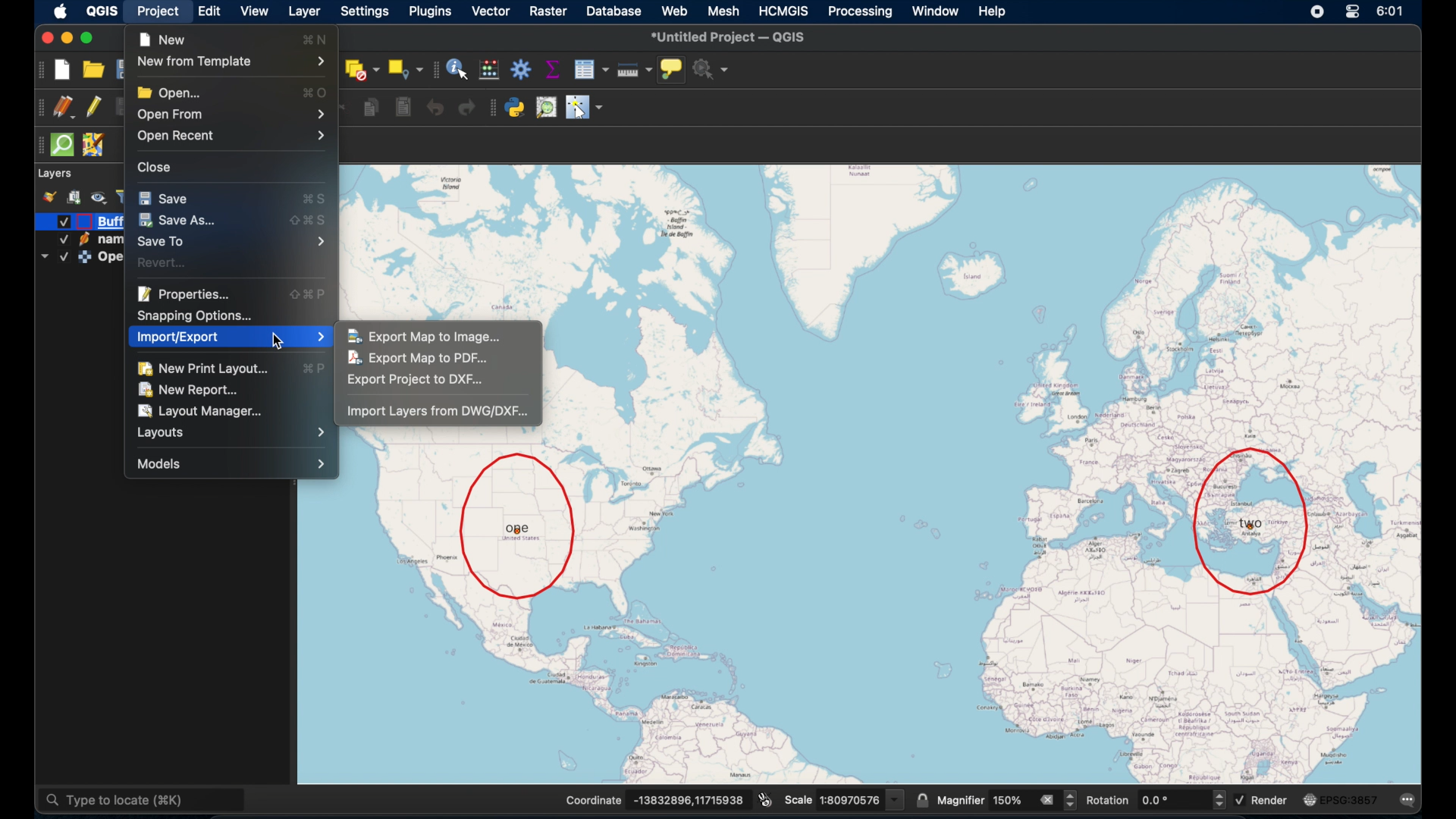 The height and width of the screenshot is (819, 1456). I want to click on layers, so click(55, 173).